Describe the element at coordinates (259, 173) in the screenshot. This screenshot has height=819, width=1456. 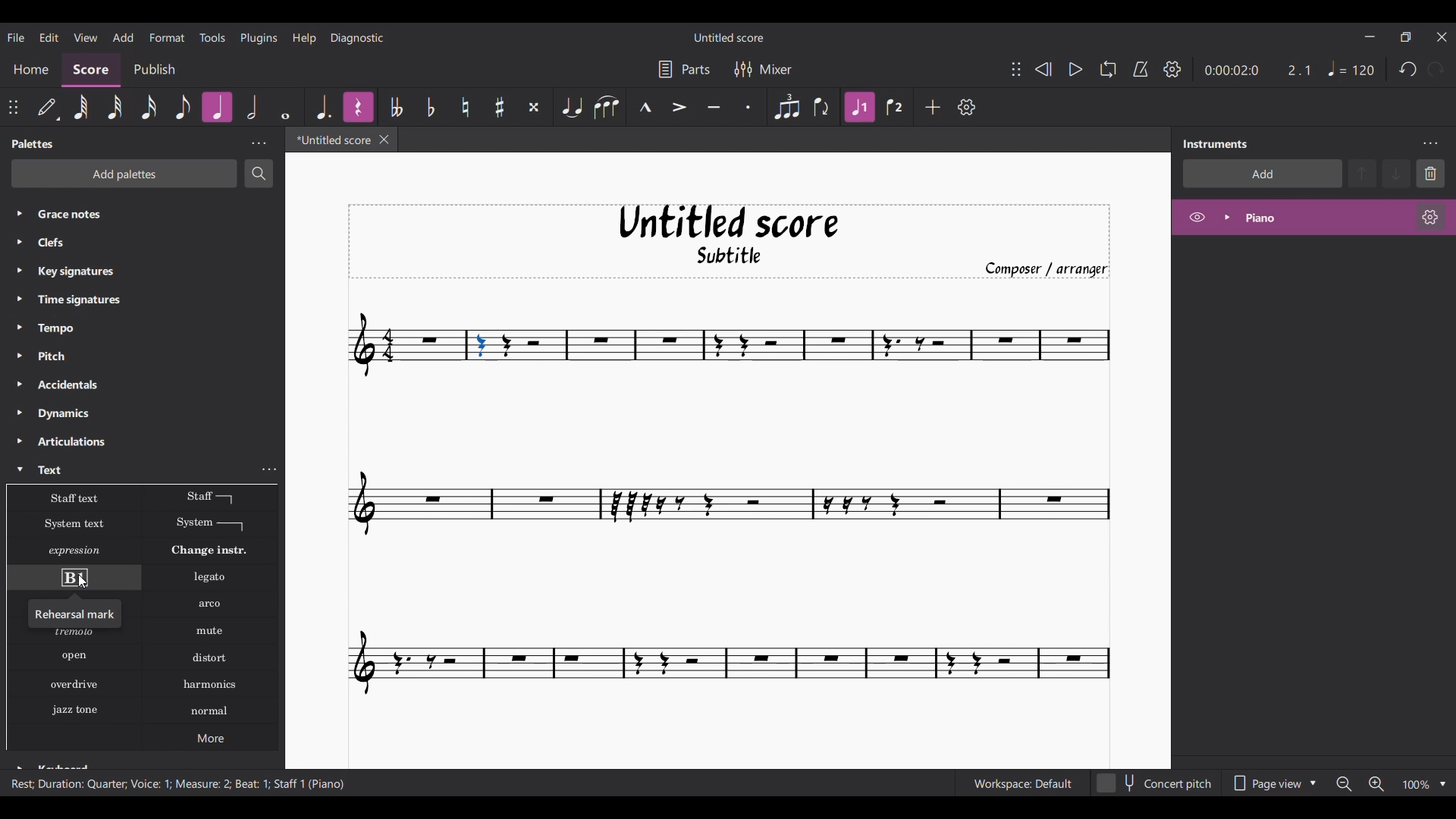
I see `Search` at that location.